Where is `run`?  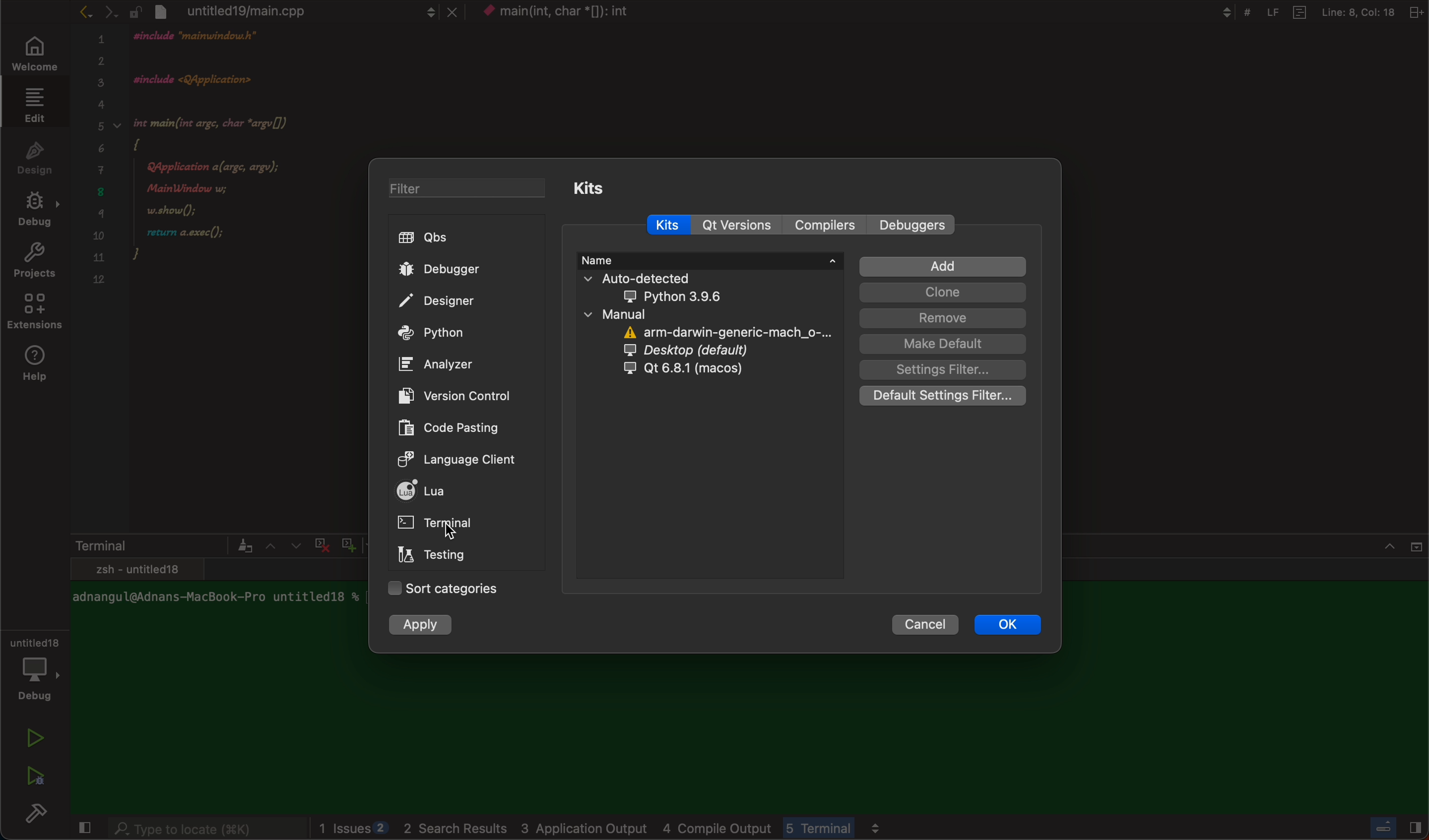 run is located at coordinates (36, 738).